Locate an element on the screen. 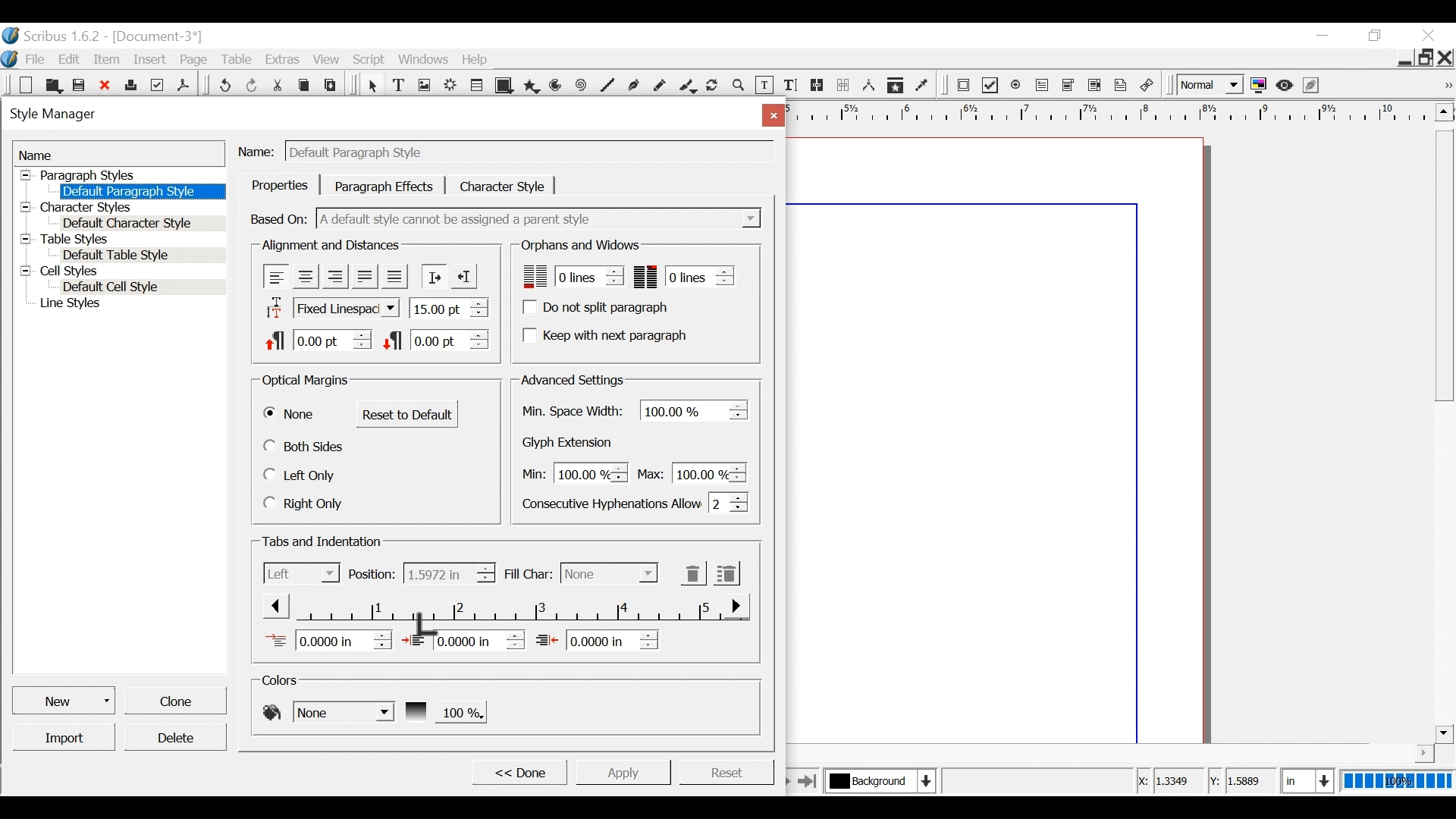 The height and width of the screenshot is (819, 1456). Align left is located at coordinates (277, 276).